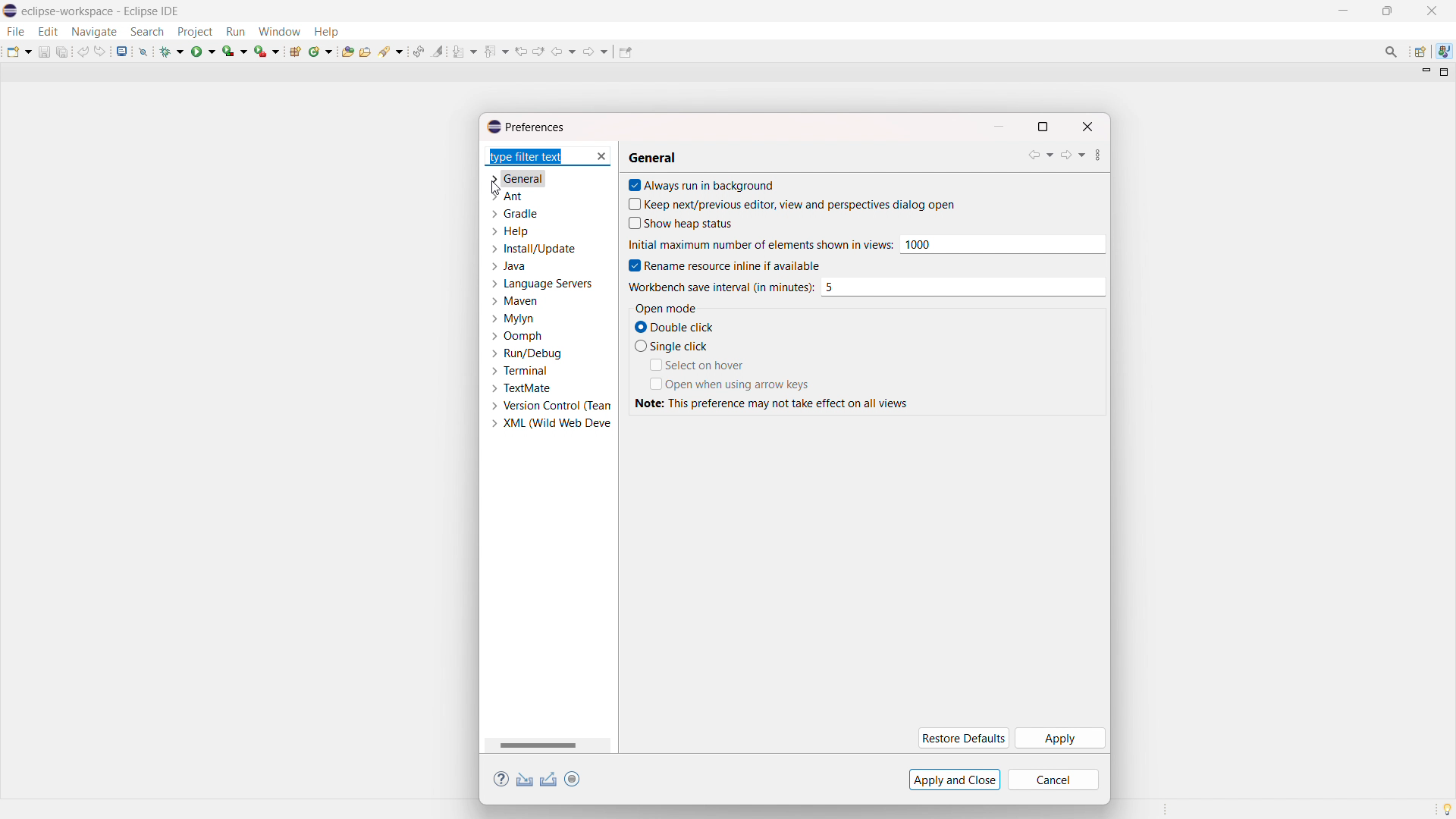 Image resolution: width=1456 pixels, height=819 pixels. Describe the element at coordinates (83, 52) in the screenshot. I see `undo` at that location.